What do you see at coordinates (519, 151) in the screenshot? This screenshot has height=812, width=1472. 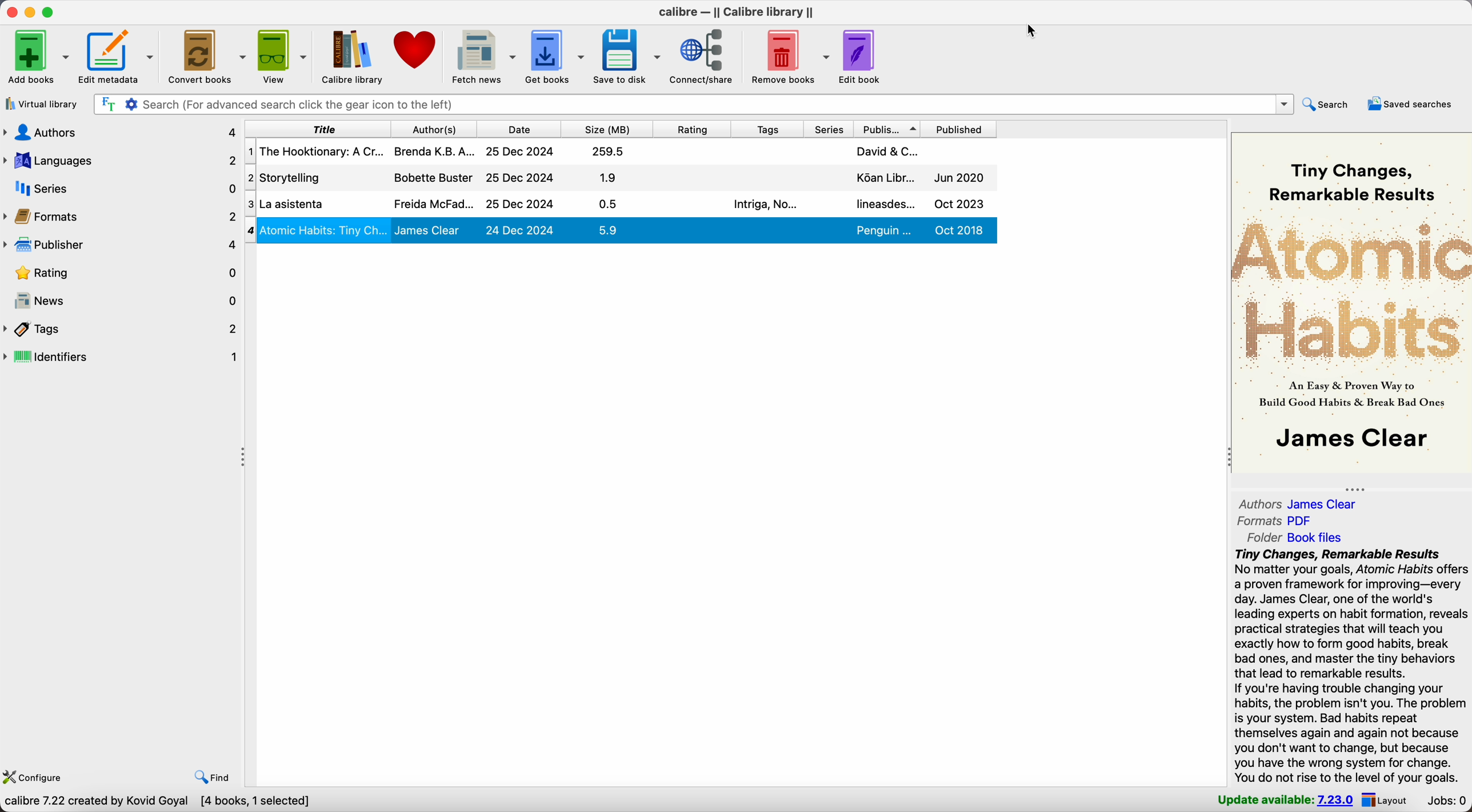 I see `25 Dec 2024` at bounding box center [519, 151].